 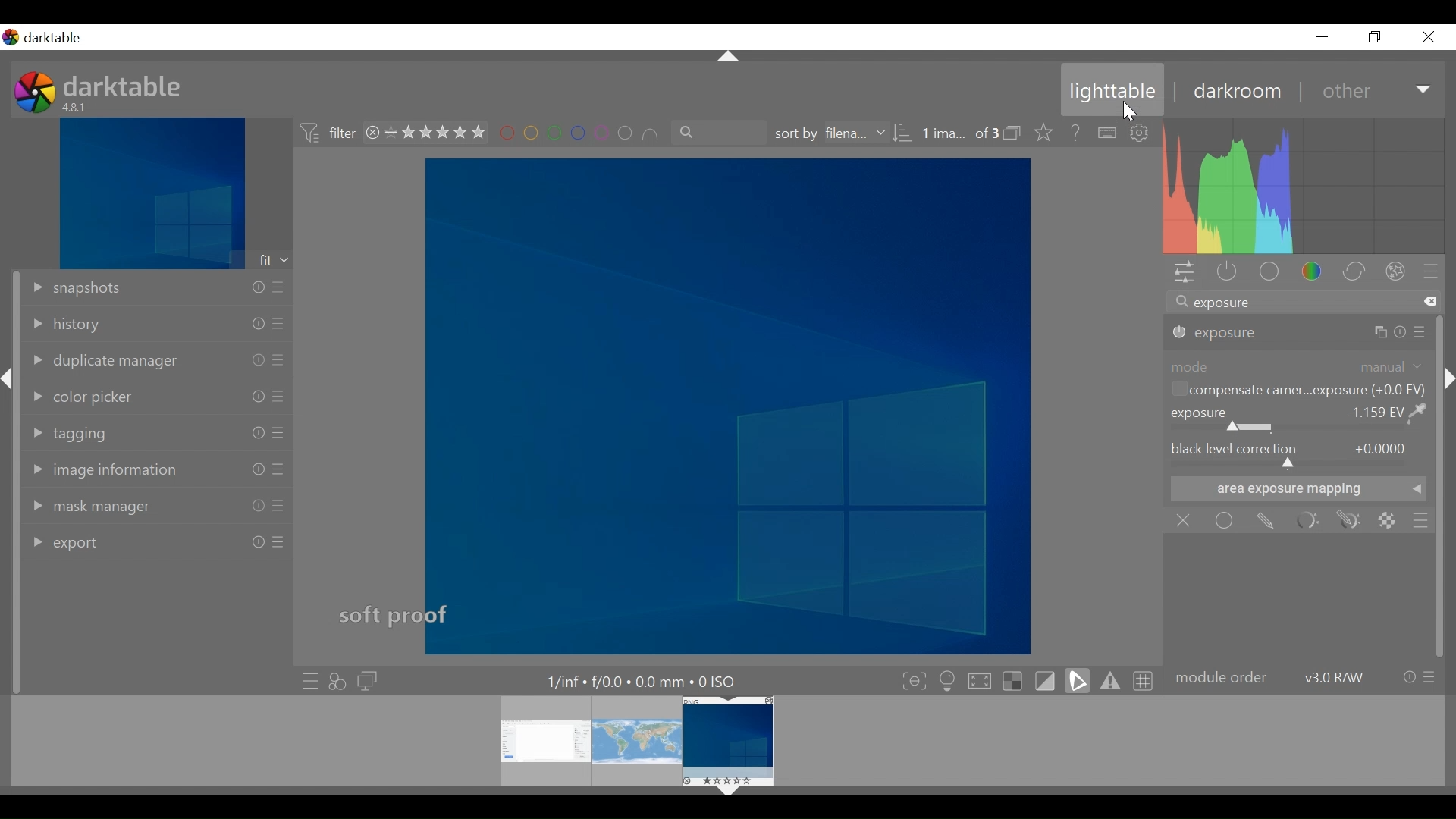 I want to click on close, so click(x=372, y=133).